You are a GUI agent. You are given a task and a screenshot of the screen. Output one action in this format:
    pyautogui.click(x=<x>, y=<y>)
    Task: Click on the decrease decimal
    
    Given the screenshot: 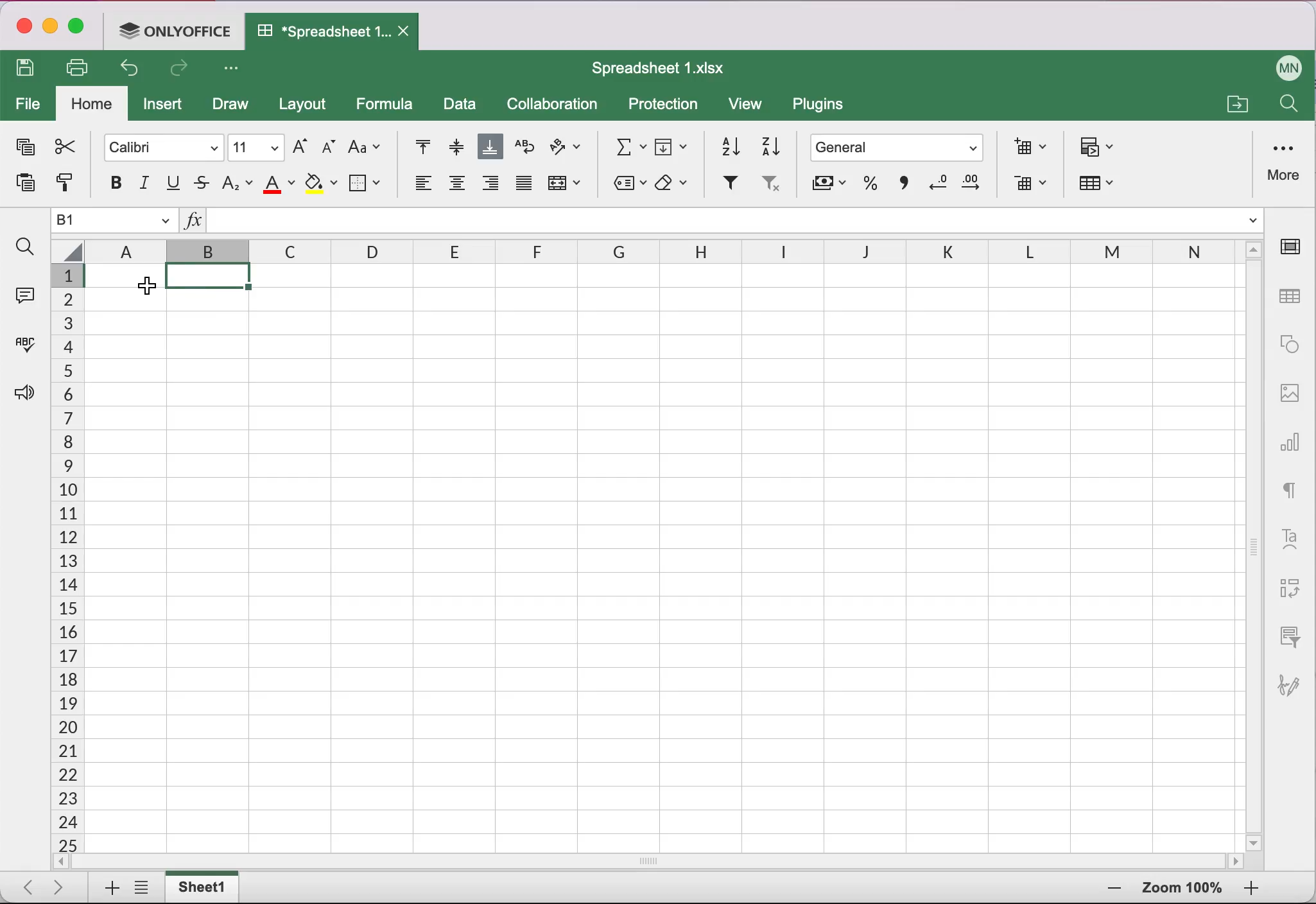 What is the action you would take?
    pyautogui.click(x=936, y=186)
    